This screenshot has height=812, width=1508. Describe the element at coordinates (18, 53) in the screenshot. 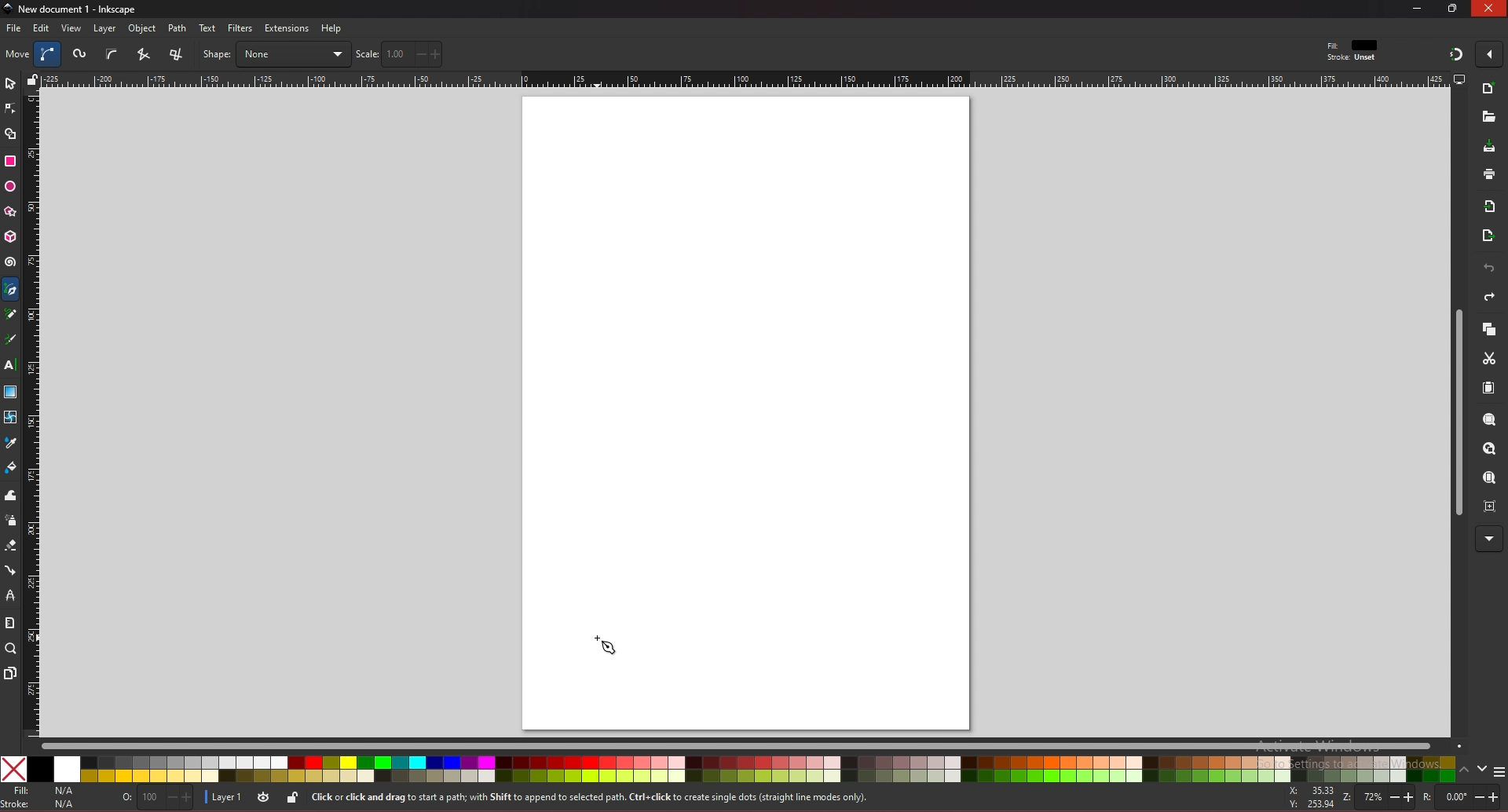

I see `move` at that location.